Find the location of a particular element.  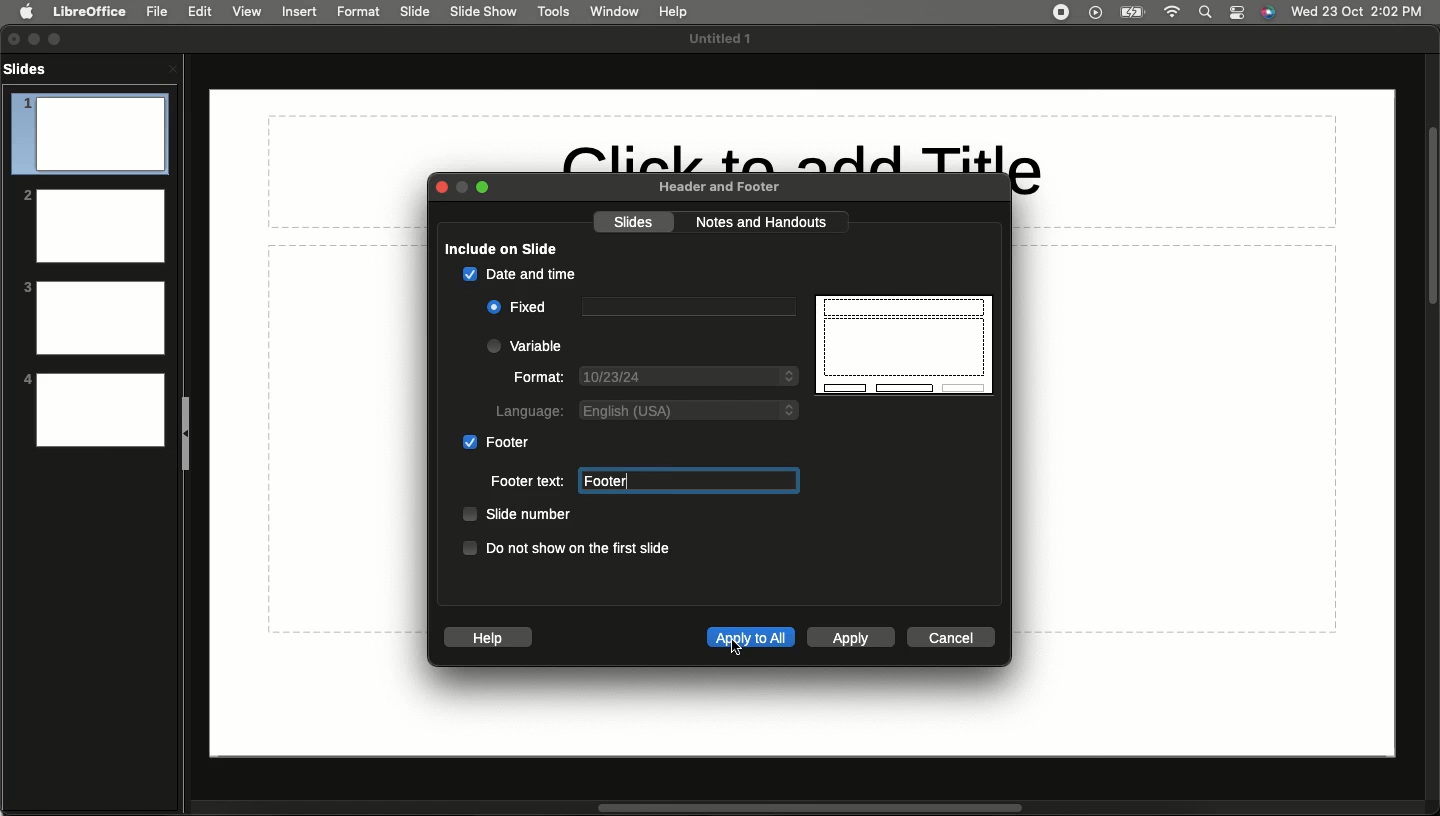

Edit is located at coordinates (199, 12).